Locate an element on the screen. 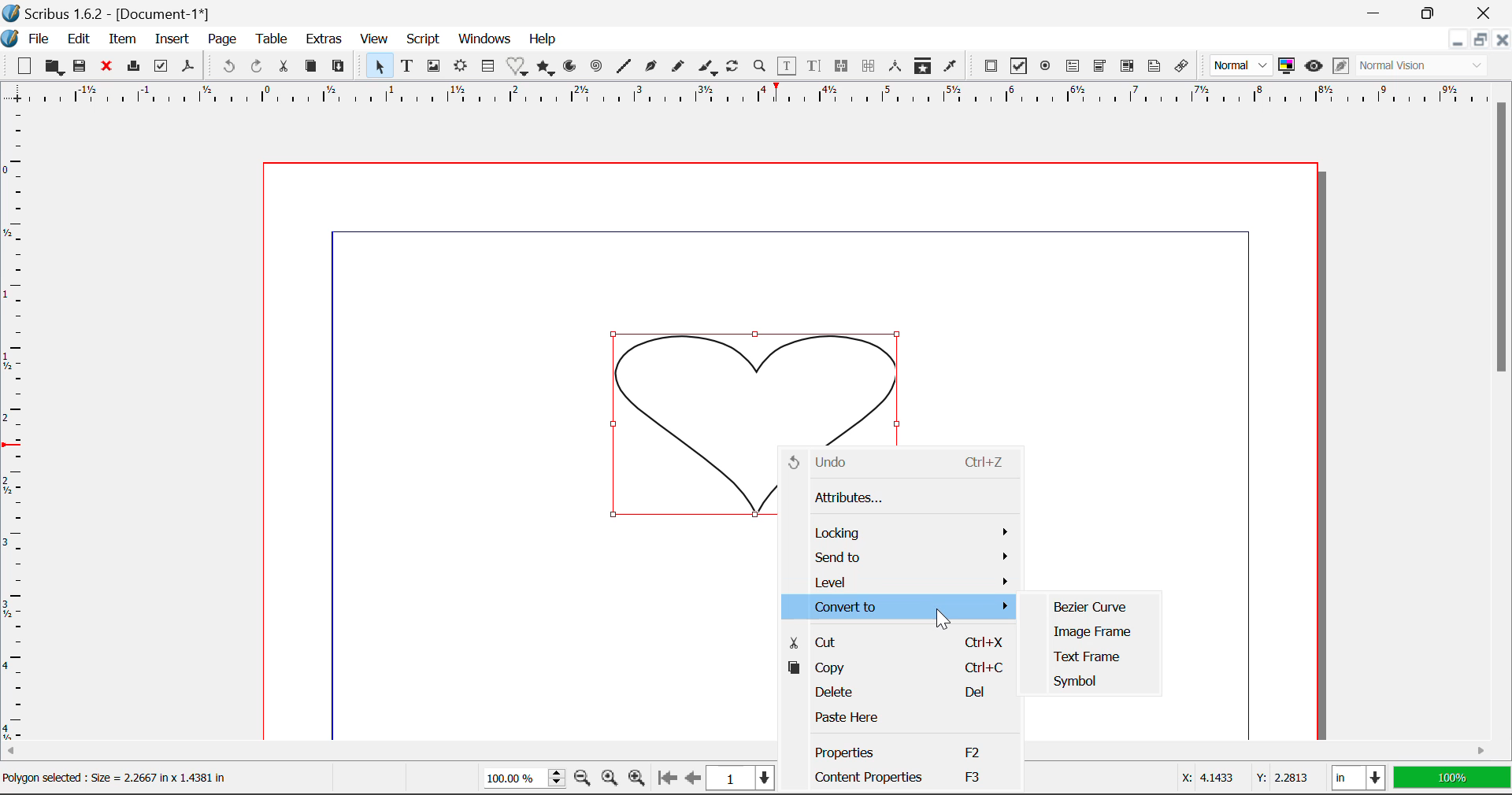 Image resolution: width=1512 pixels, height=795 pixels. Measurements is located at coordinates (897, 67).